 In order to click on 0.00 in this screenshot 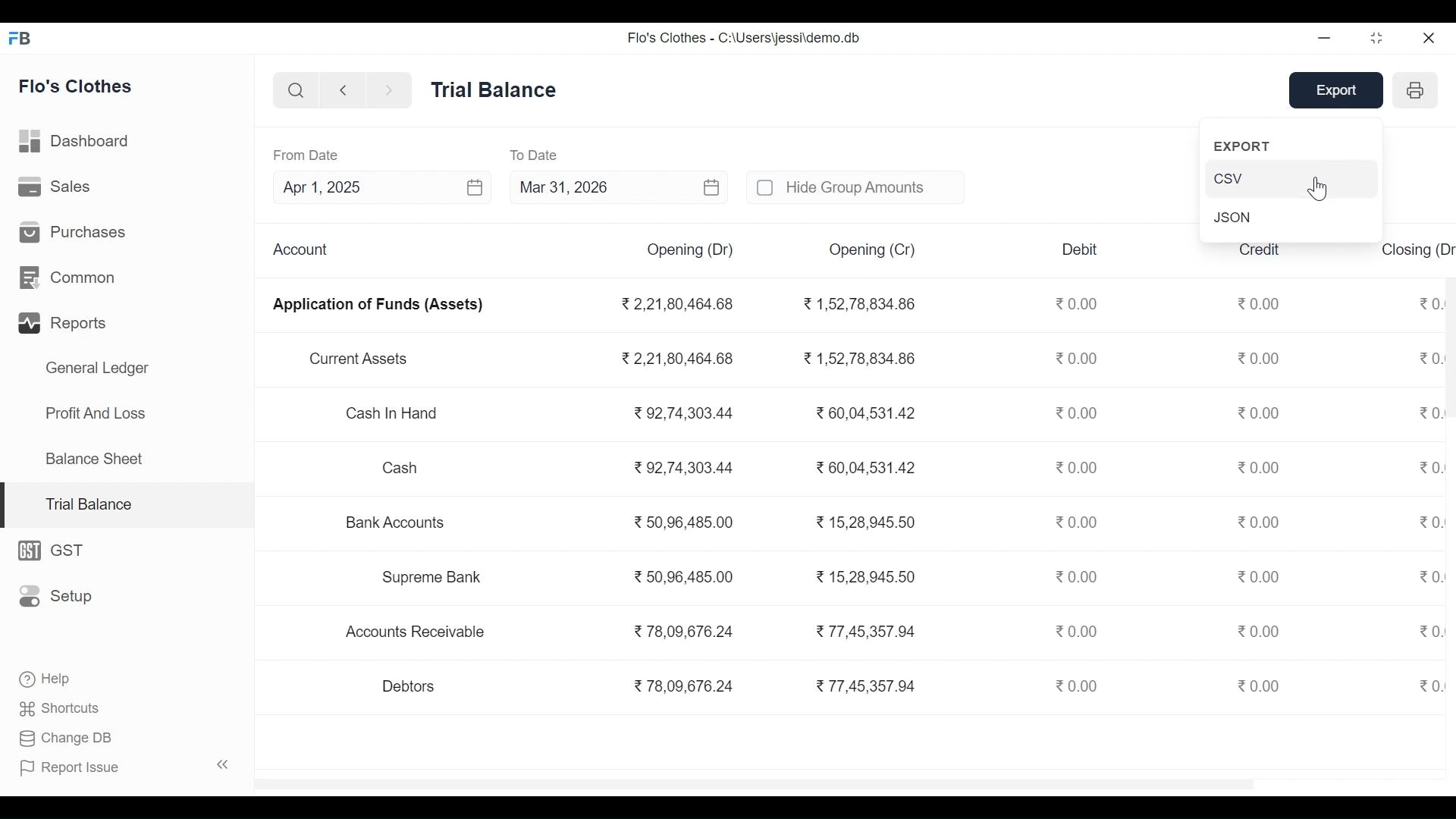, I will do `click(1260, 357)`.